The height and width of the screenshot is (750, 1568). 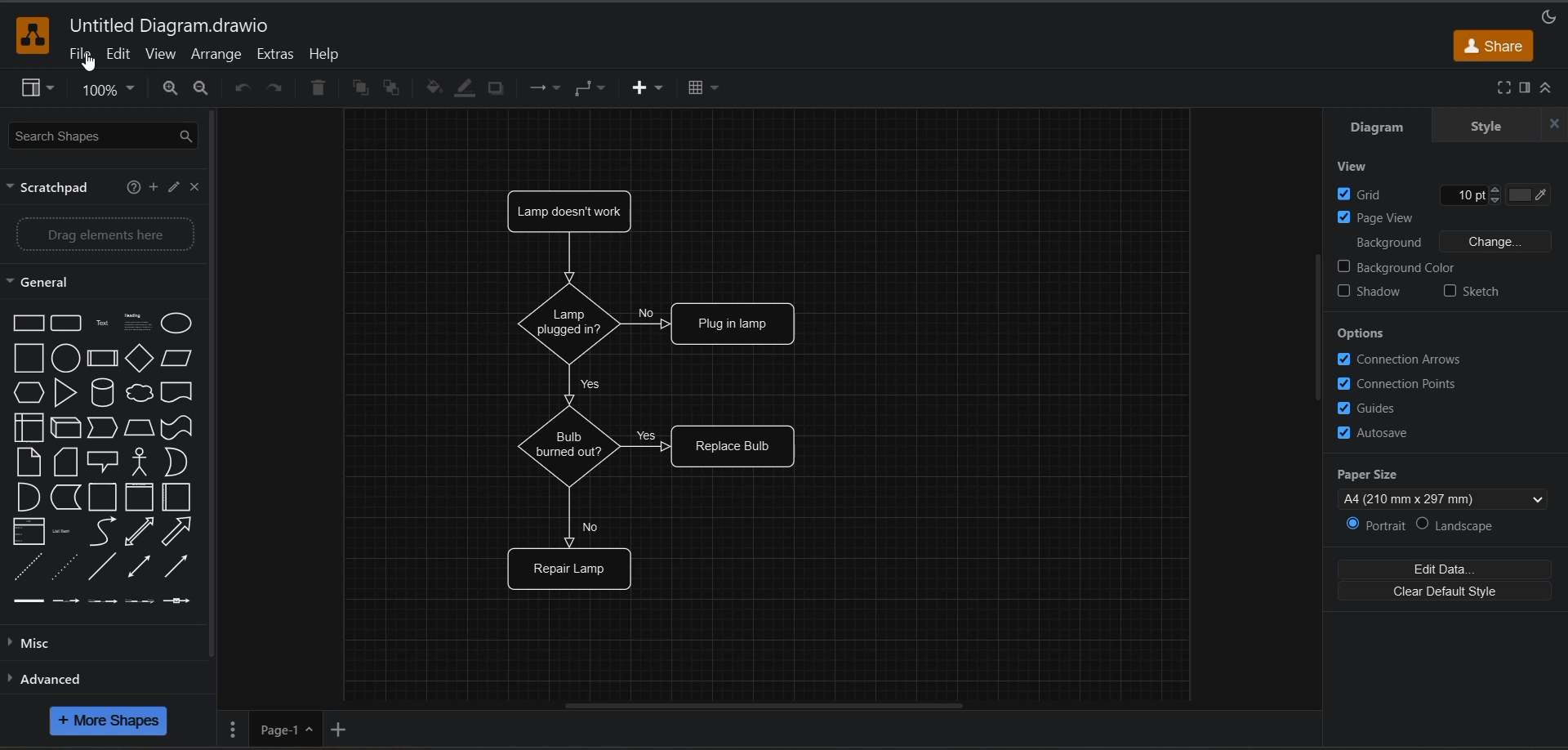 I want to click on line color, so click(x=465, y=90).